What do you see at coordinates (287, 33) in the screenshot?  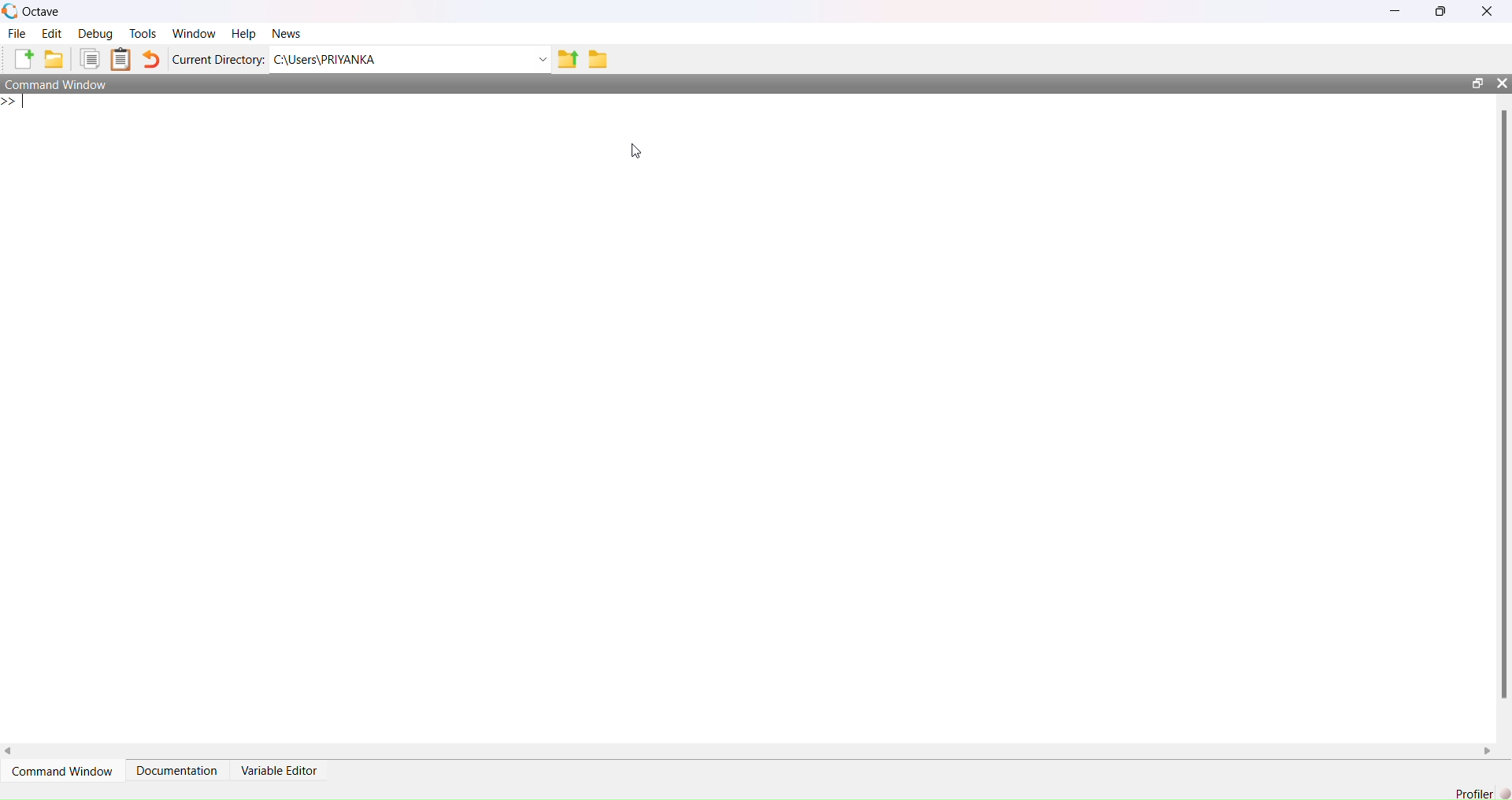 I see `News` at bounding box center [287, 33].